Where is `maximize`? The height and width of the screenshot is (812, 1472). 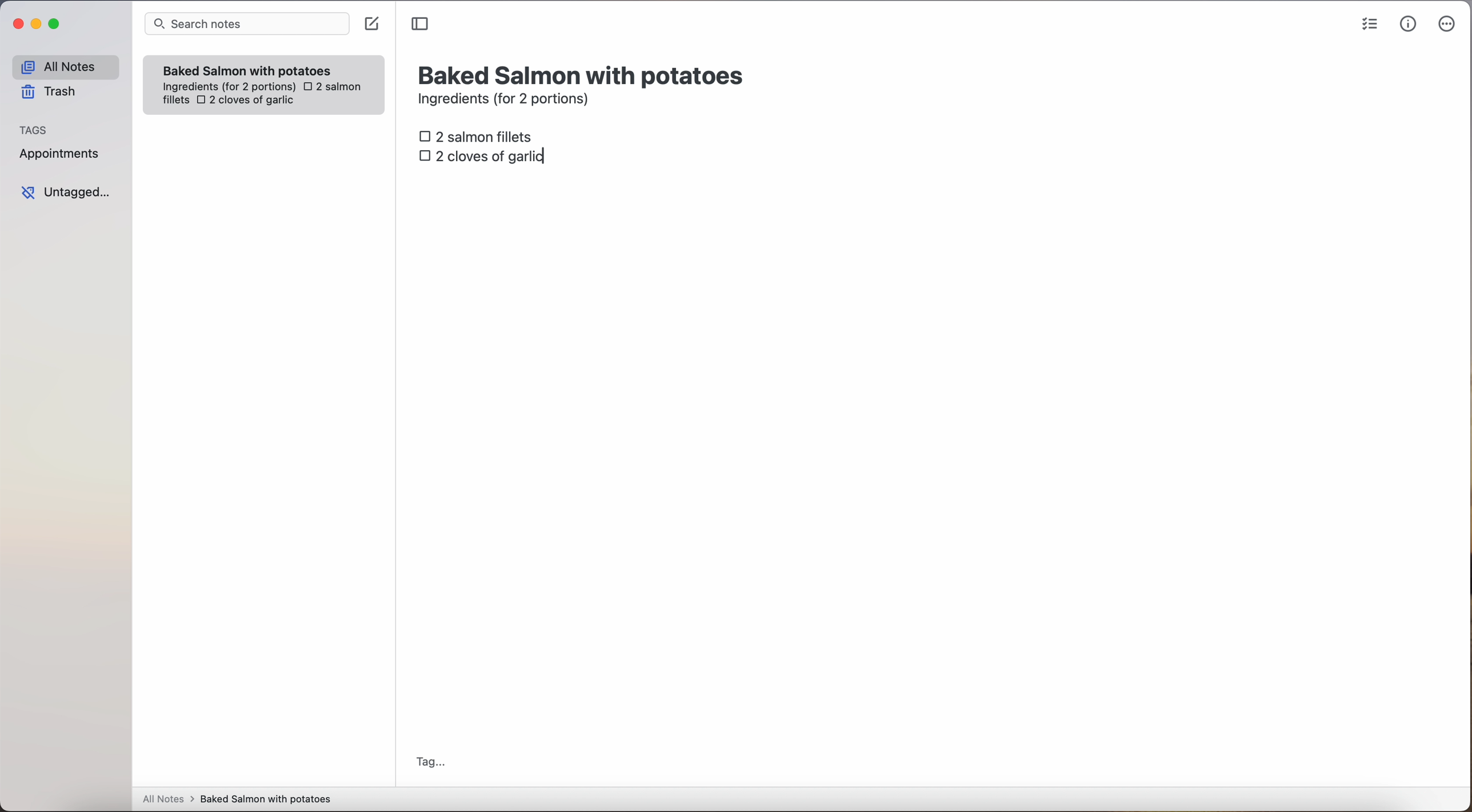 maximize is located at coordinates (56, 23).